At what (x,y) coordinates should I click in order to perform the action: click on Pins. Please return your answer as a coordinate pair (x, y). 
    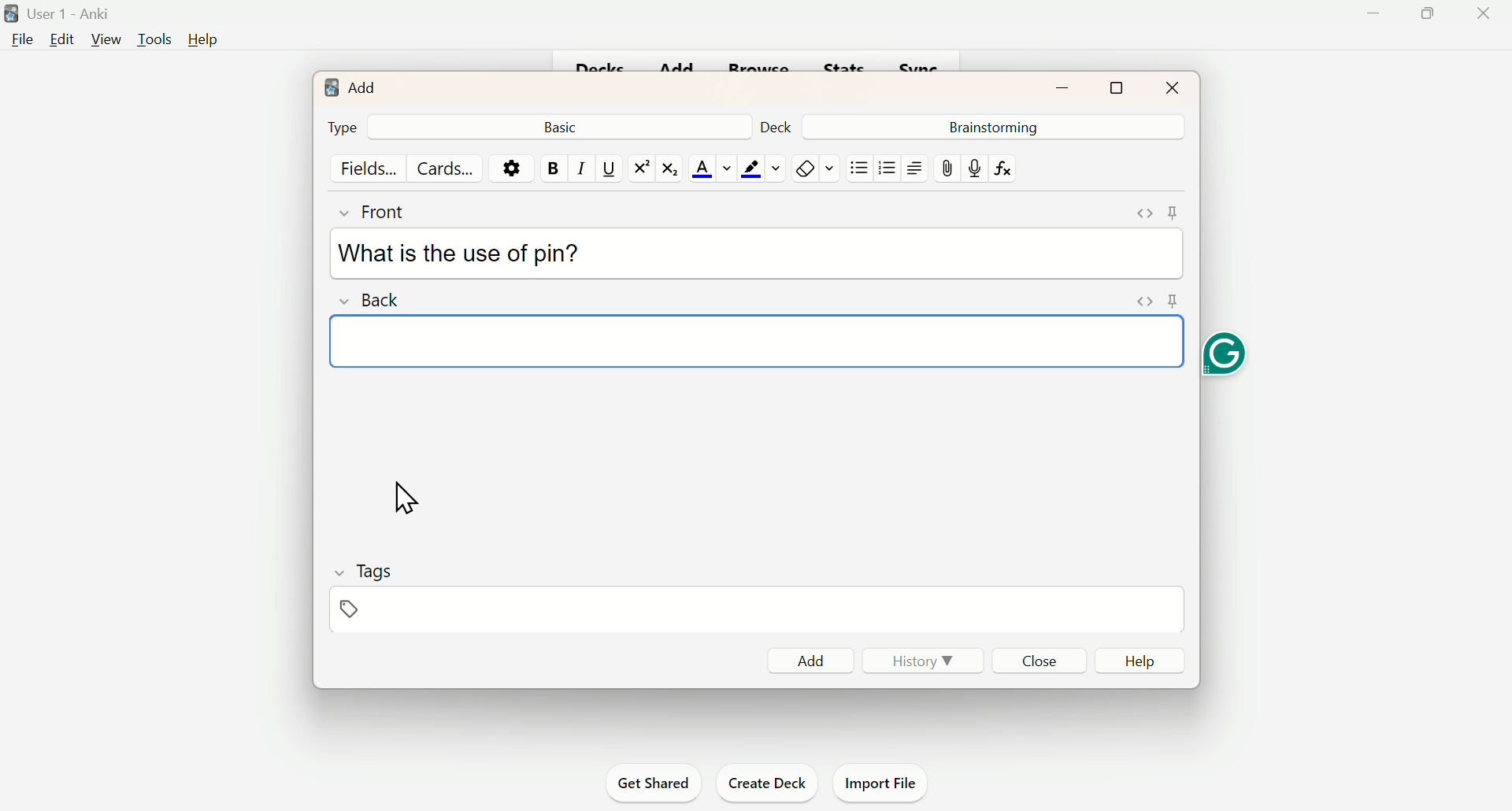
    Looking at the image, I should click on (1158, 213).